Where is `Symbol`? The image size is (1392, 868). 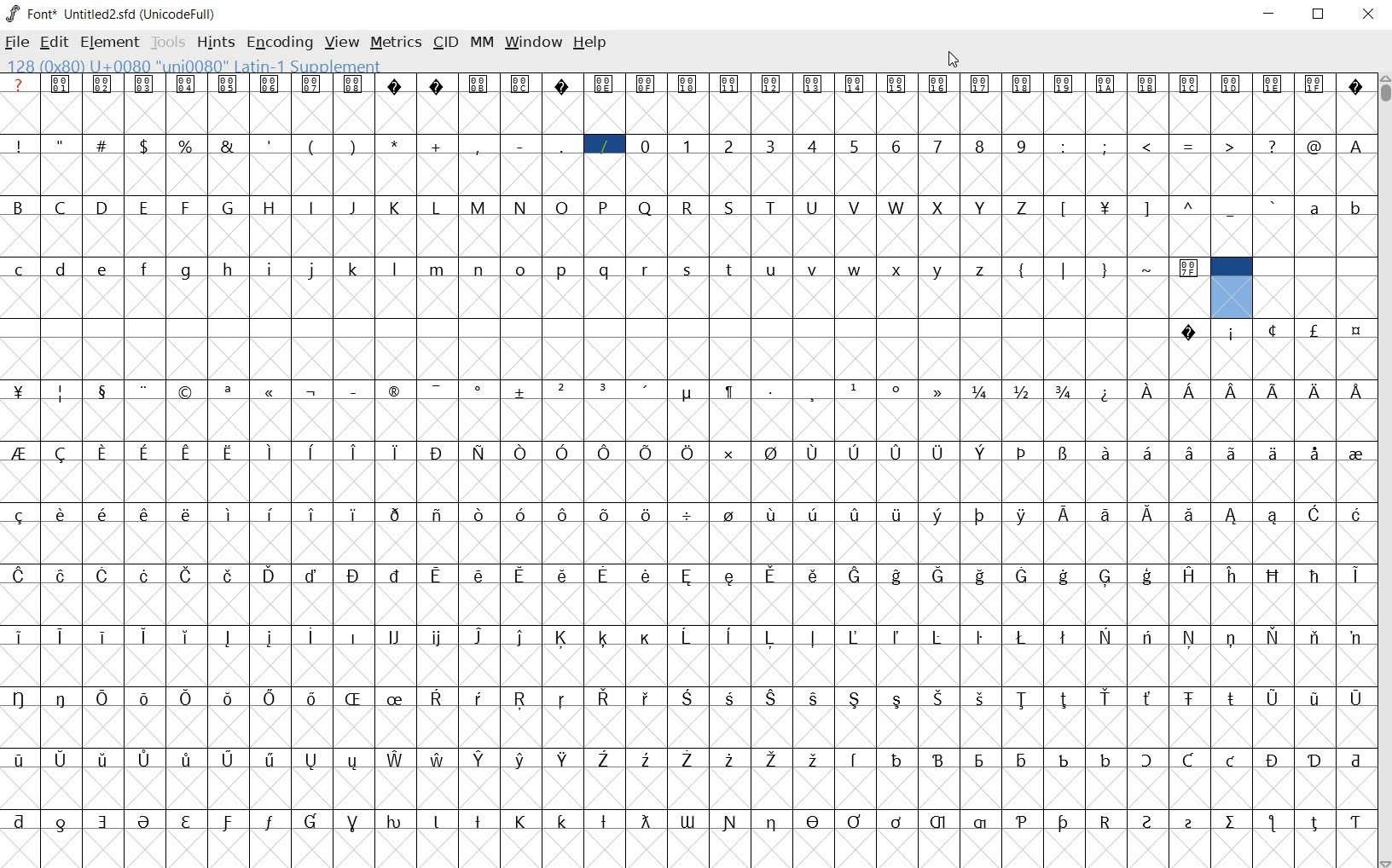
Symbol is located at coordinates (105, 819).